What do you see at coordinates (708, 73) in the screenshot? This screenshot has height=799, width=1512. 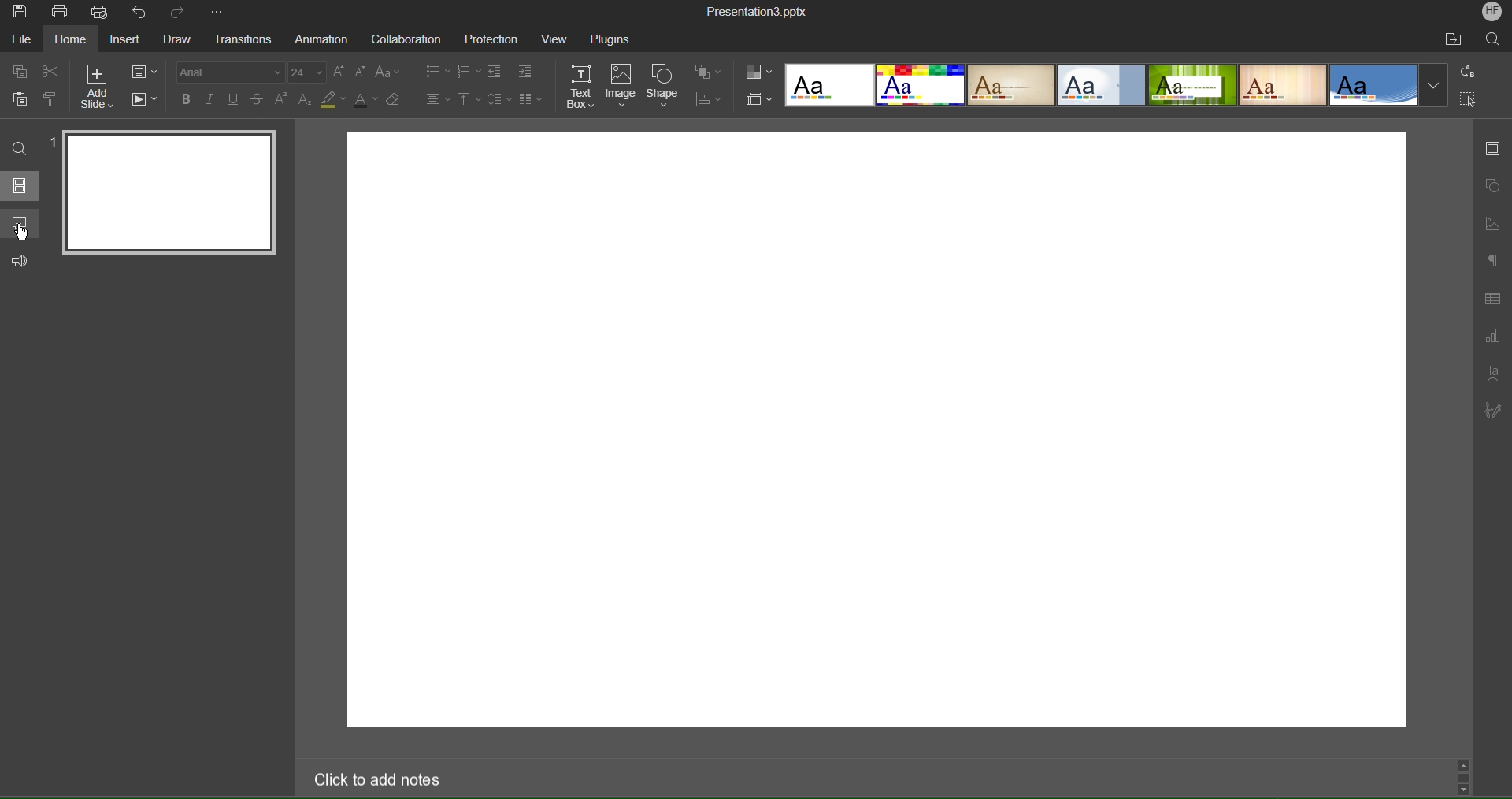 I see `Arrange` at bounding box center [708, 73].